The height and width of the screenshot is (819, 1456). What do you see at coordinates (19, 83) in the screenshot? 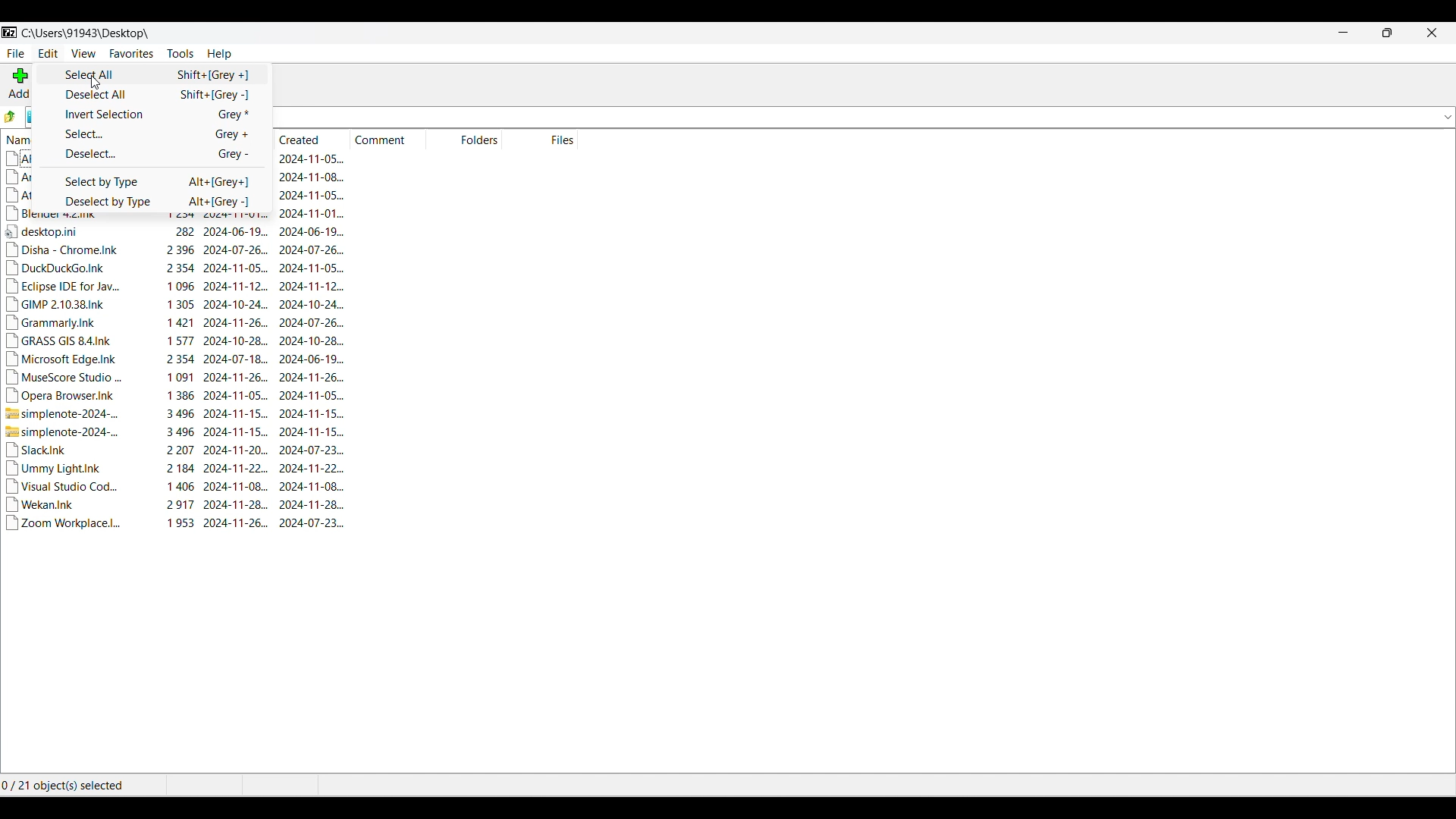
I see `Add` at bounding box center [19, 83].